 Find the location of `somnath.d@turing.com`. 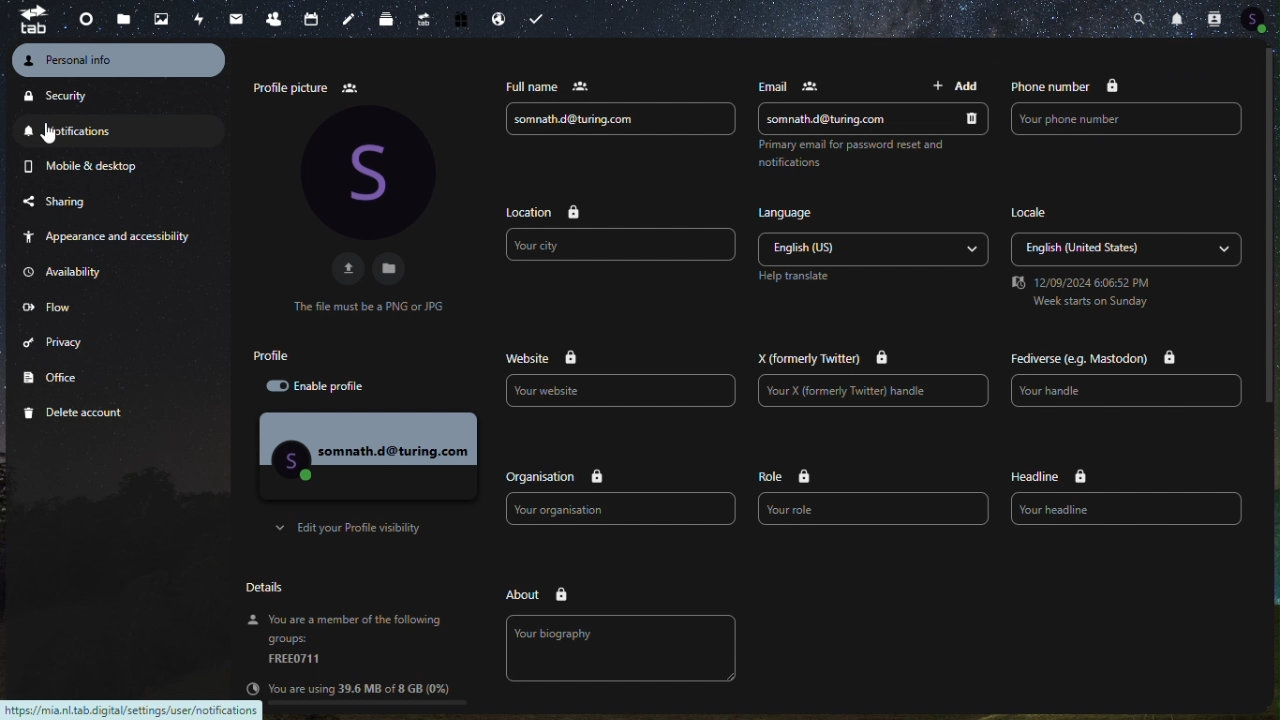

somnath.d@turing.com is located at coordinates (871, 119).